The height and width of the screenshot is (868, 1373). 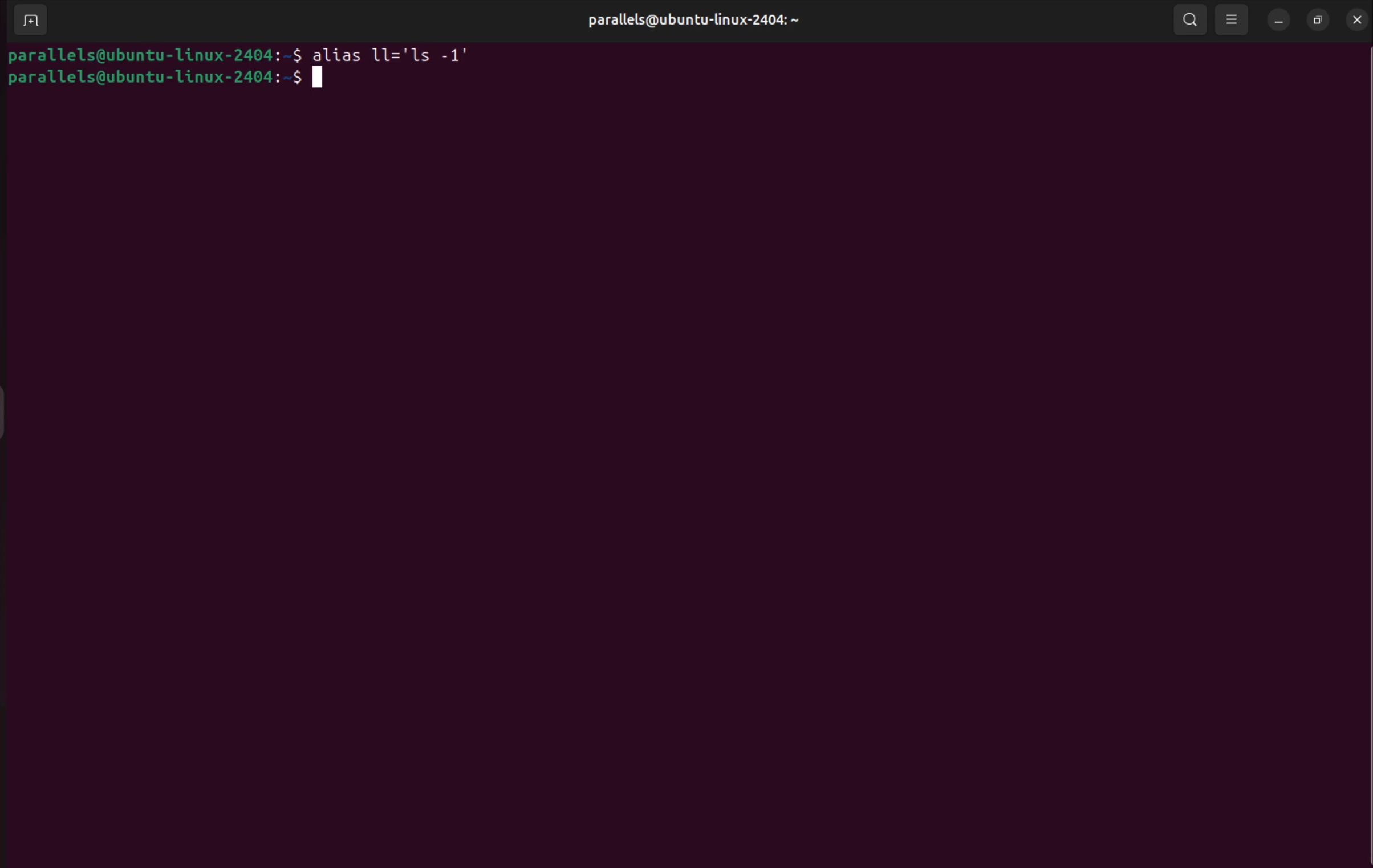 I want to click on bash prompt, so click(x=154, y=54).